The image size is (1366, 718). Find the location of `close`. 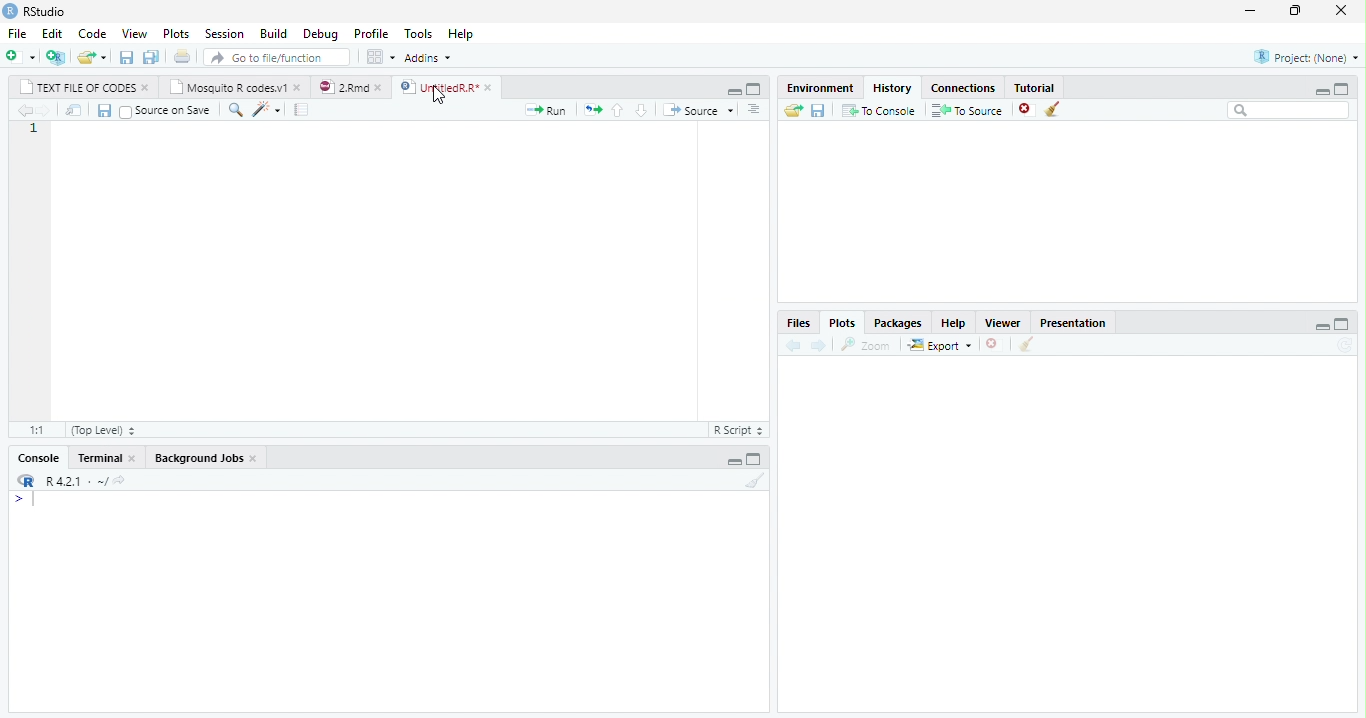

close is located at coordinates (146, 89).